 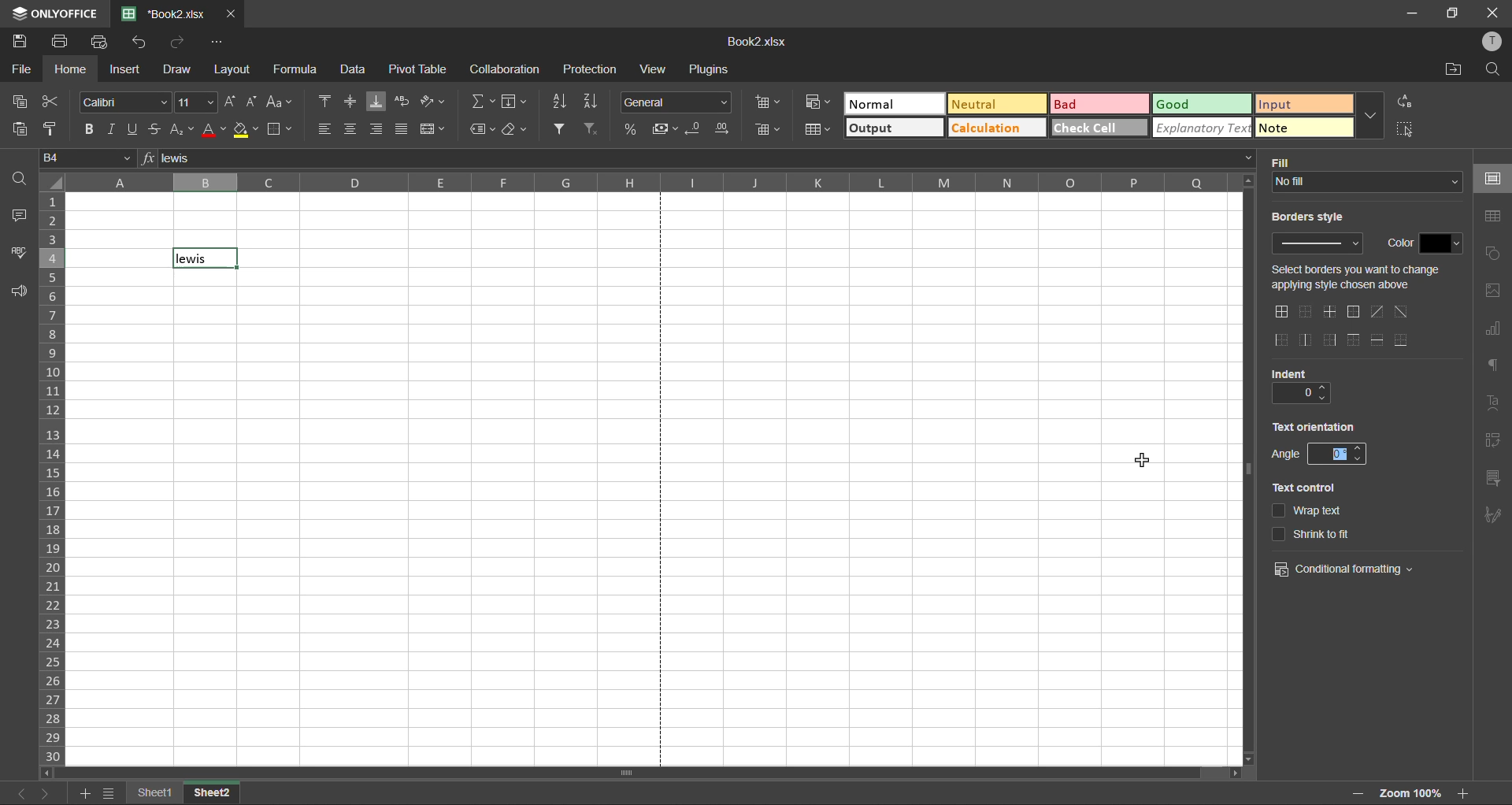 What do you see at coordinates (1454, 13) in the screenshot?
I see `maximize` at bounding box center [1454, 13].